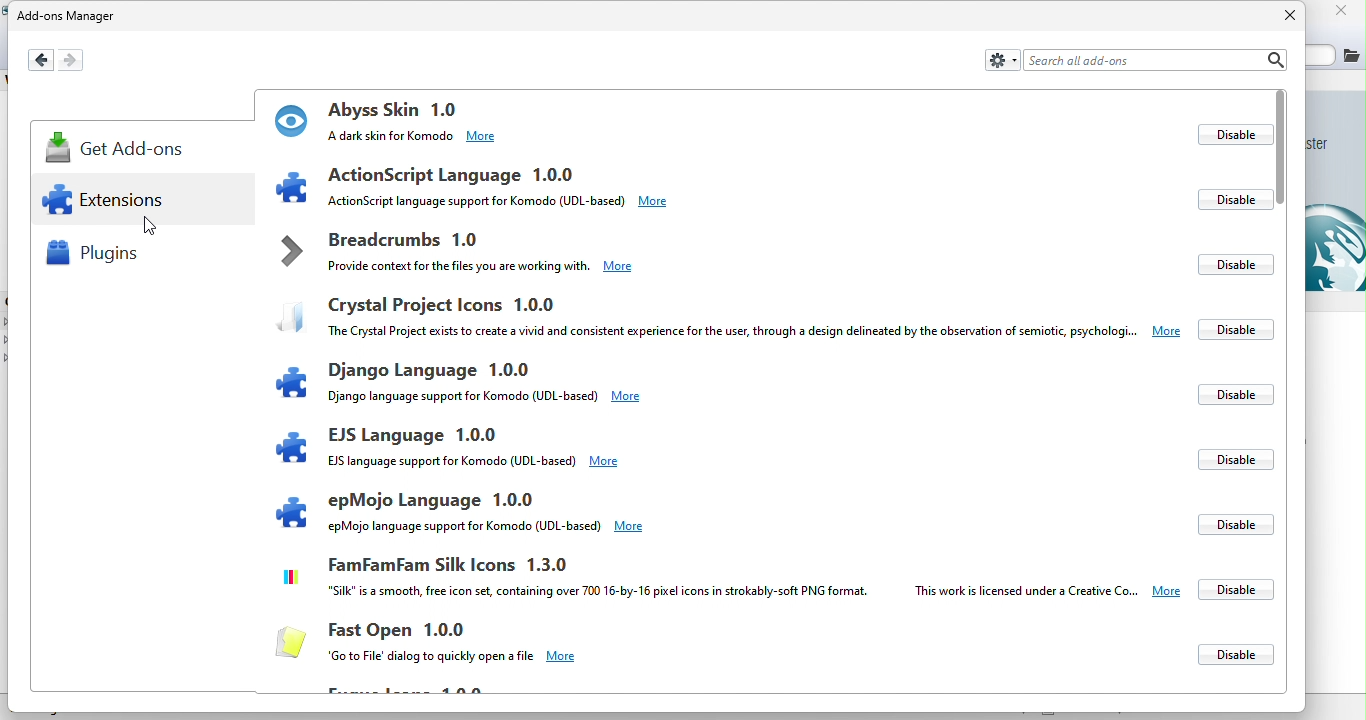 The height and width of the screenshot is (720, 1366). What do you see at coordinates (1229, 135) in the screenshot?
I see `disable` at bounding box center [1229, 135].